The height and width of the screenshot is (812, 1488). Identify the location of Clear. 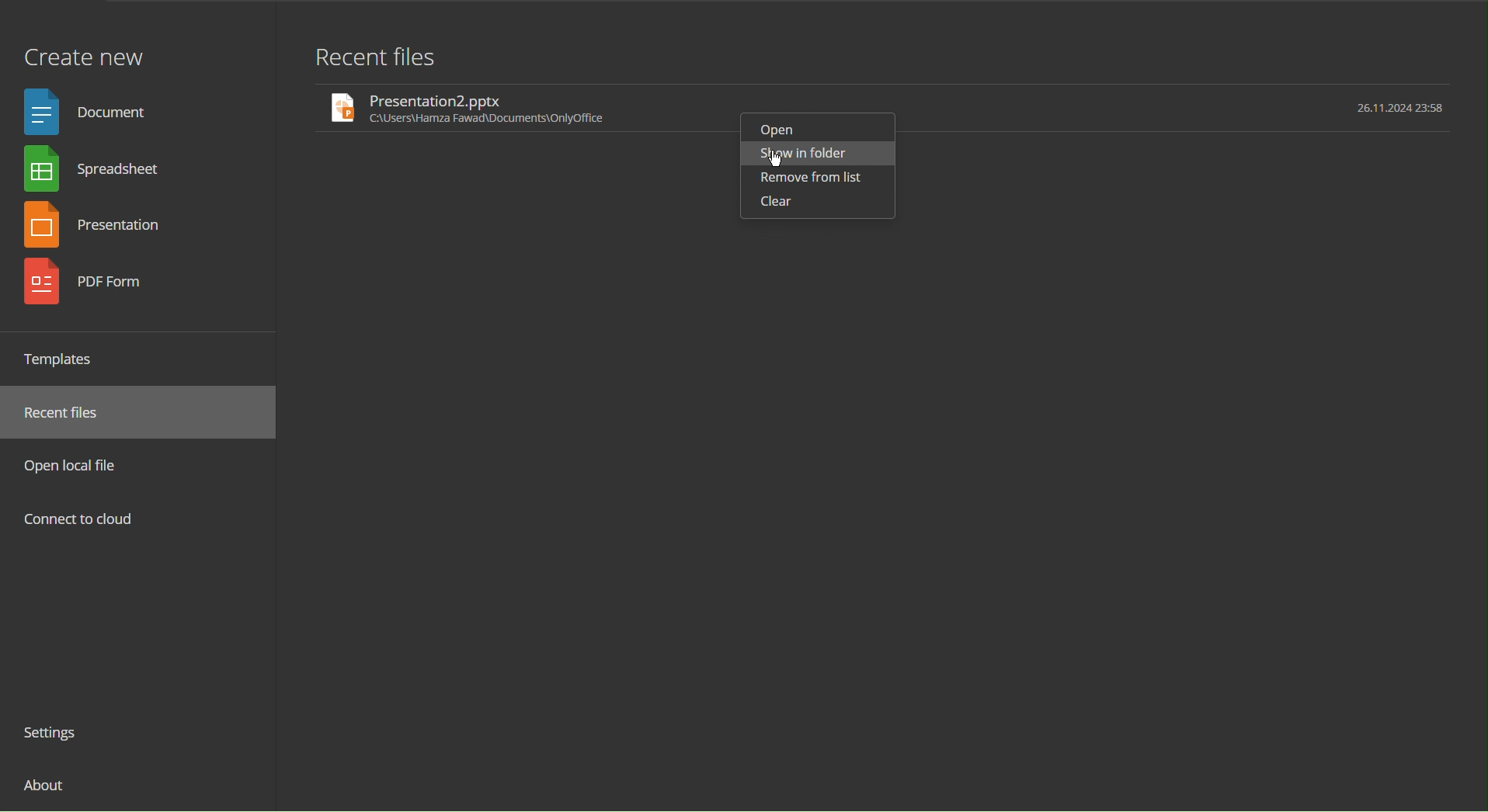
(775, 203).